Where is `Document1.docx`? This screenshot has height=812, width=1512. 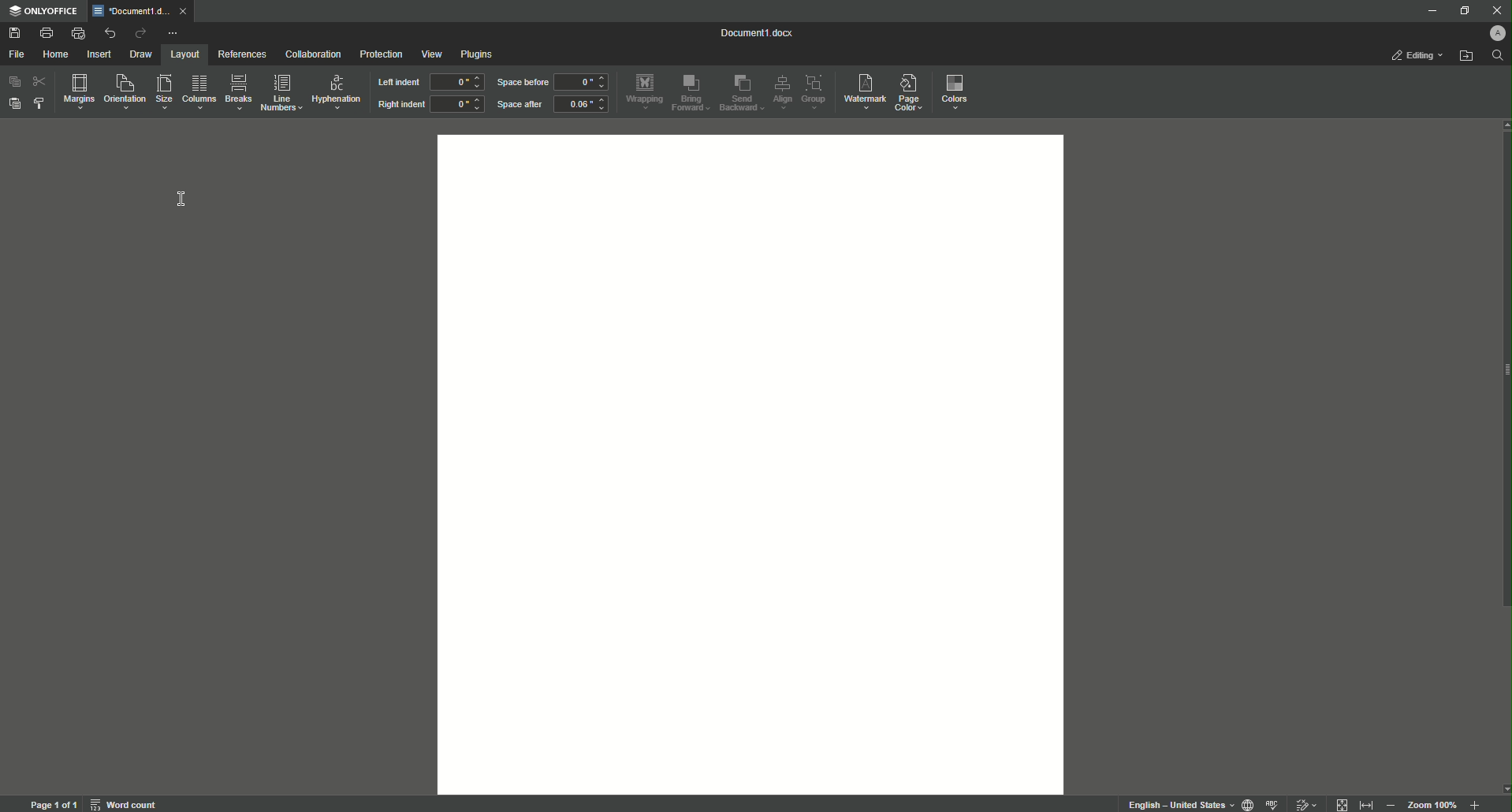 Document1.docx is located at coordinates (758, 35).